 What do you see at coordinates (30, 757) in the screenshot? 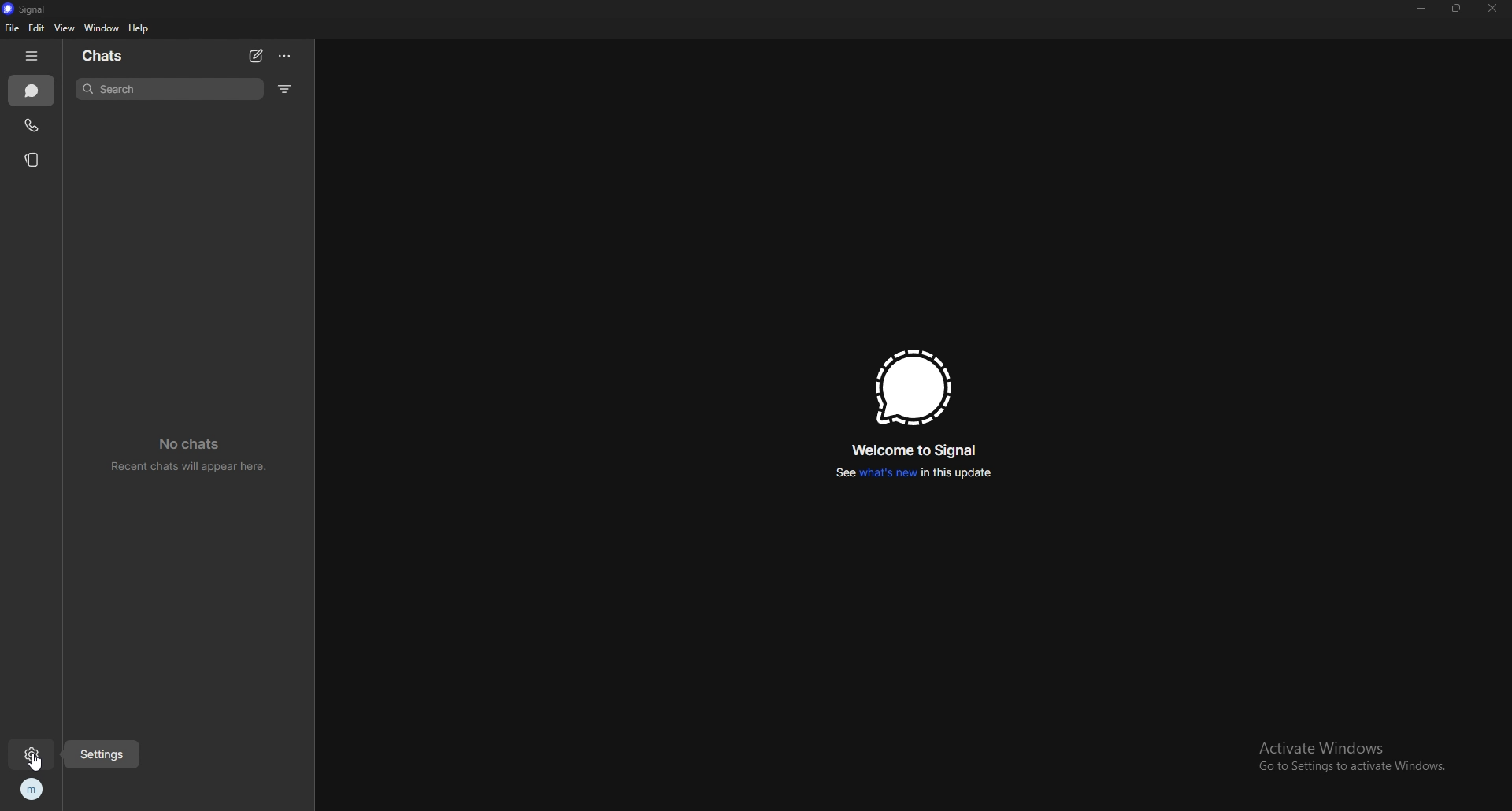
I see `settings` at bounding box center [30, 757].